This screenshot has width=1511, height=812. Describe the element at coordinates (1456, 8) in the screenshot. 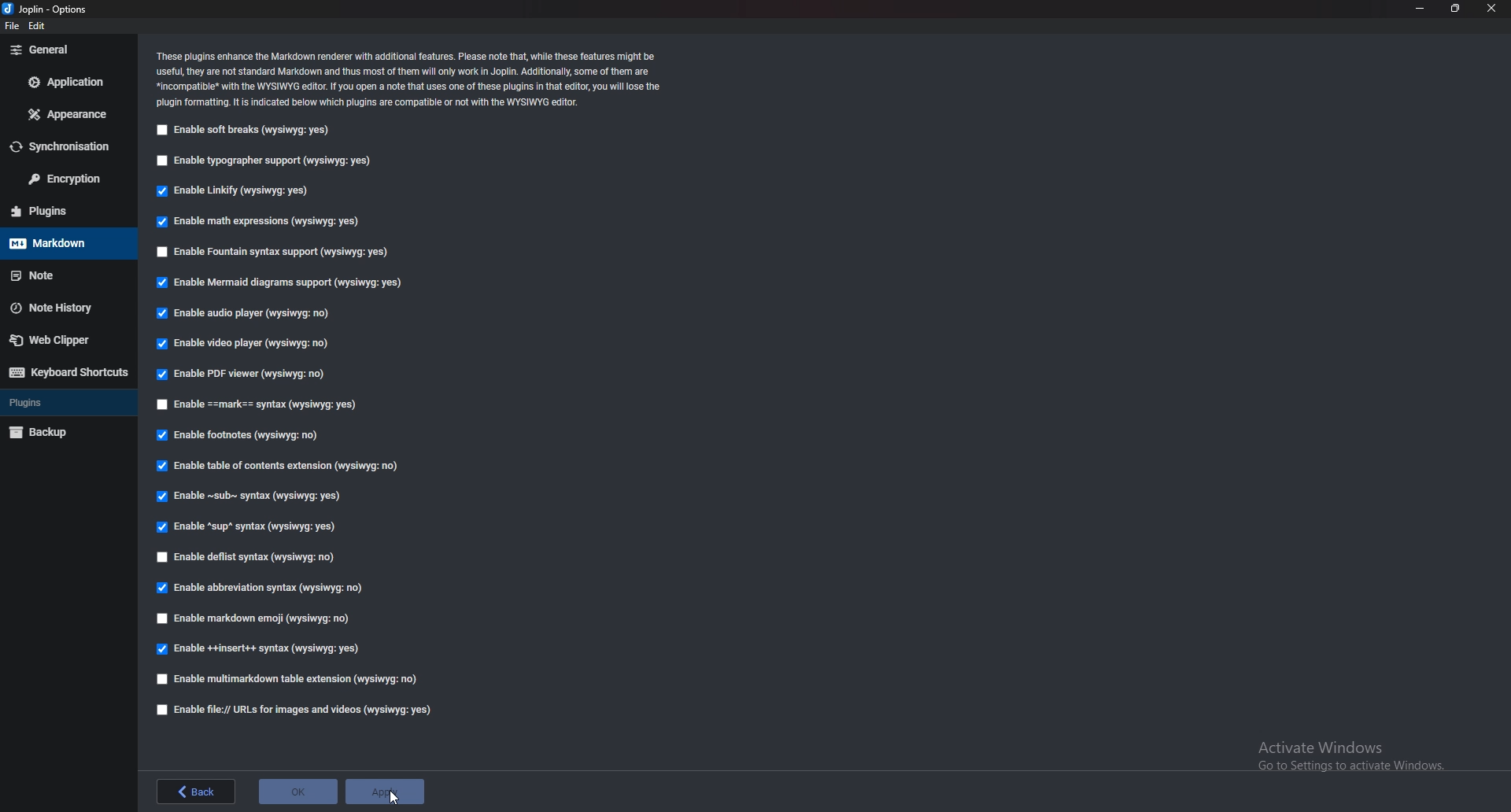

I see `resize` at that location.